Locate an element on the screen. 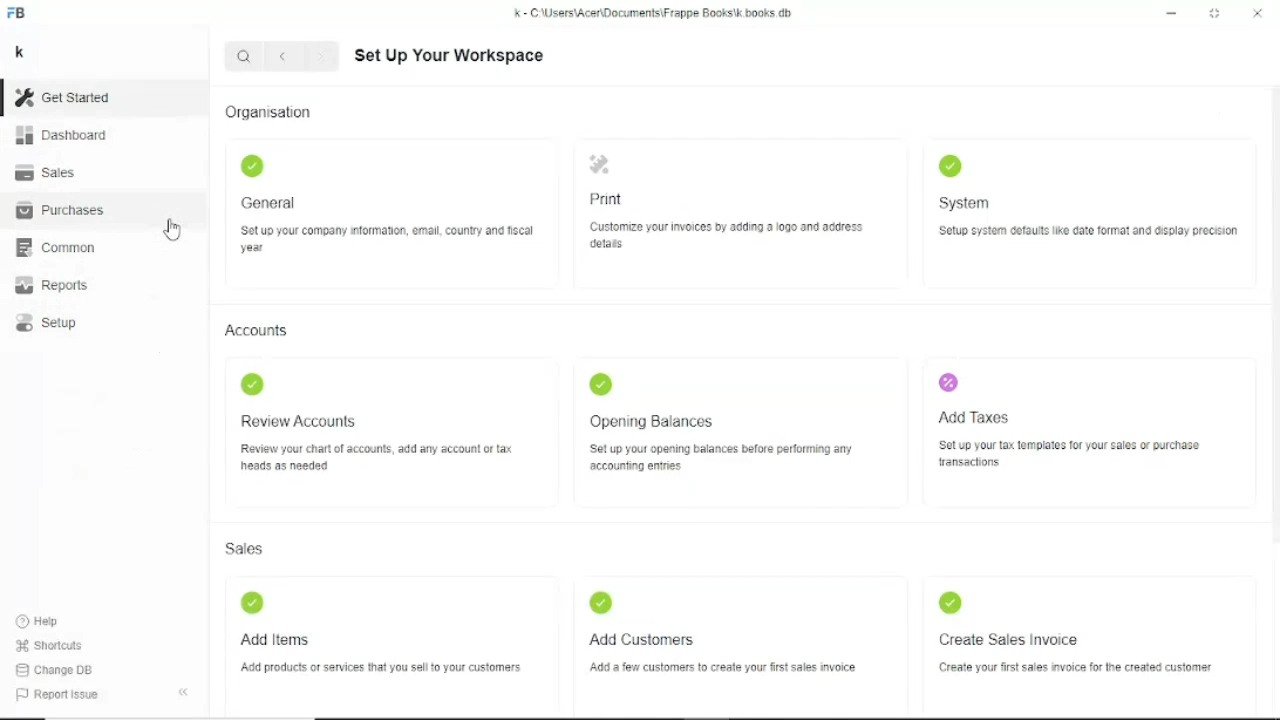 This screenshot has width=1280, height=720. k - C\Users\Acer\Documents\Frappe books\k.books.db is located at coordinates (654, 12).